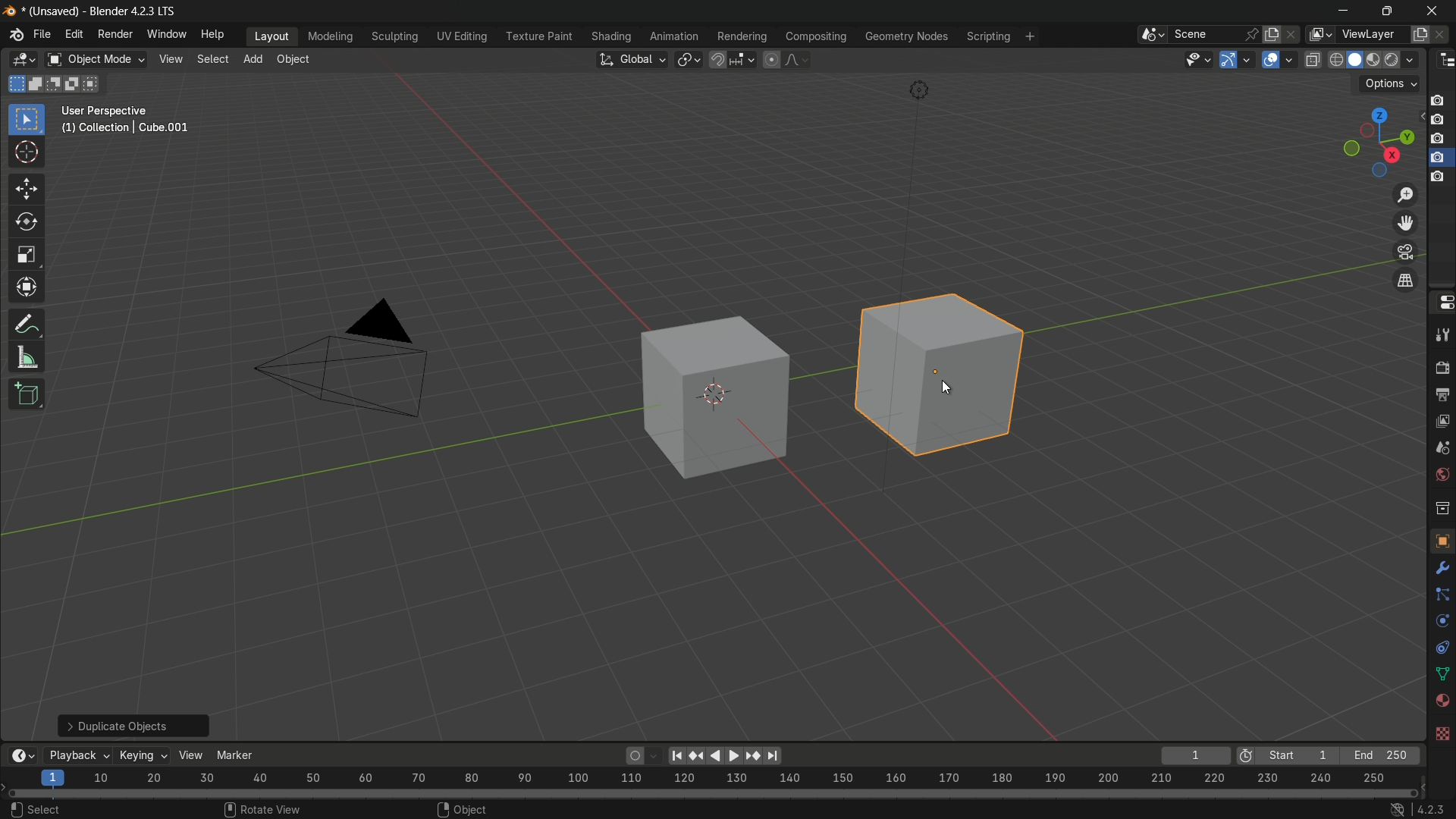 Image resolution: width=1456 pixels, height=819 pixels. Describe the element at coordinates (132, 723) in the screenshot. I see `Duplicate Object` at that location.